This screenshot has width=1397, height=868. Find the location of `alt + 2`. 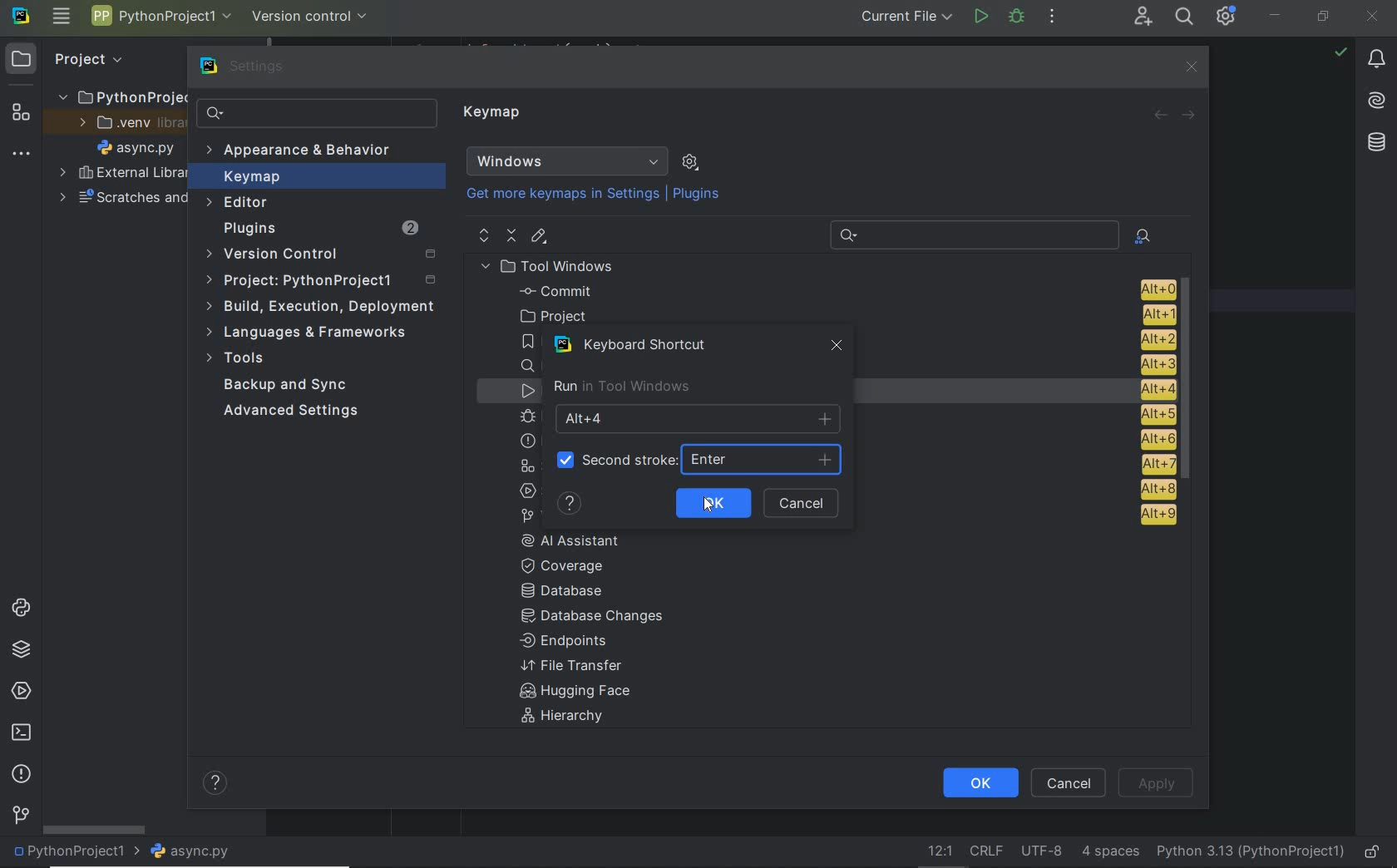

alt + 2 is located at coordinates (1156, 338).